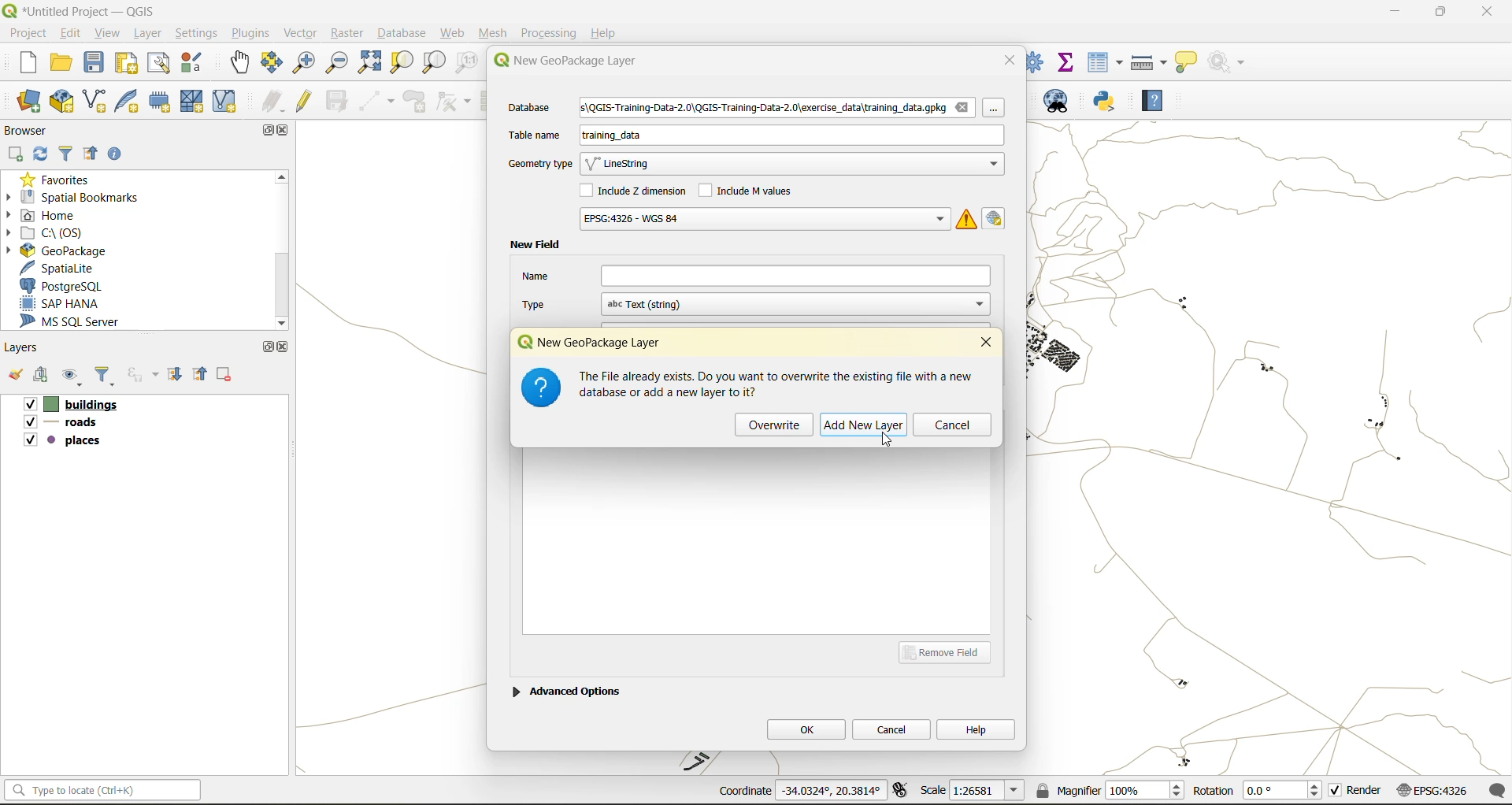 The width and height of the screenshot is (1512, 805). I want to click on zoom full, so click(369, 63).